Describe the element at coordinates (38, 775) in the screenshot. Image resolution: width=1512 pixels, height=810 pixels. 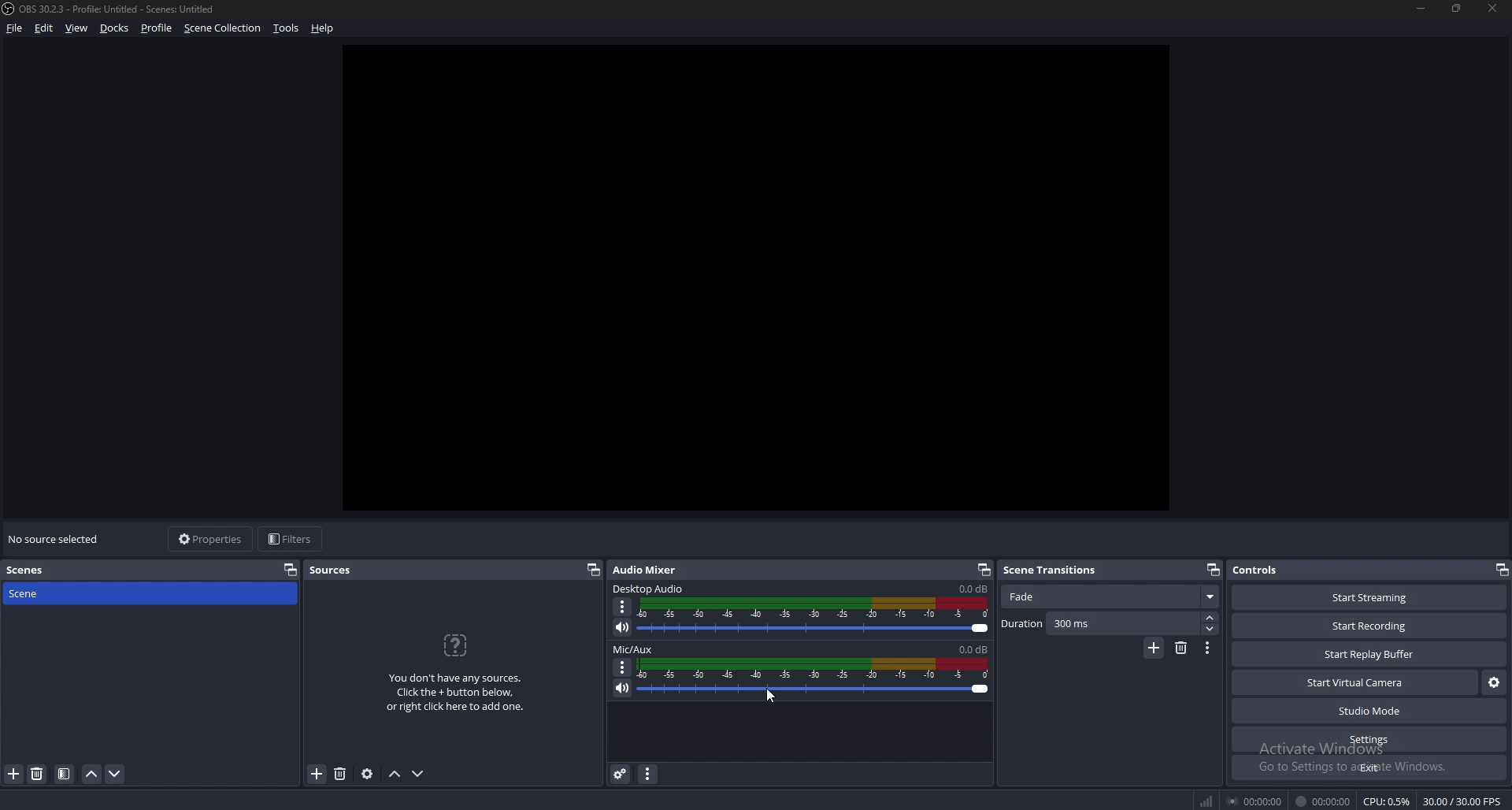
I see `remove scene` at that location.